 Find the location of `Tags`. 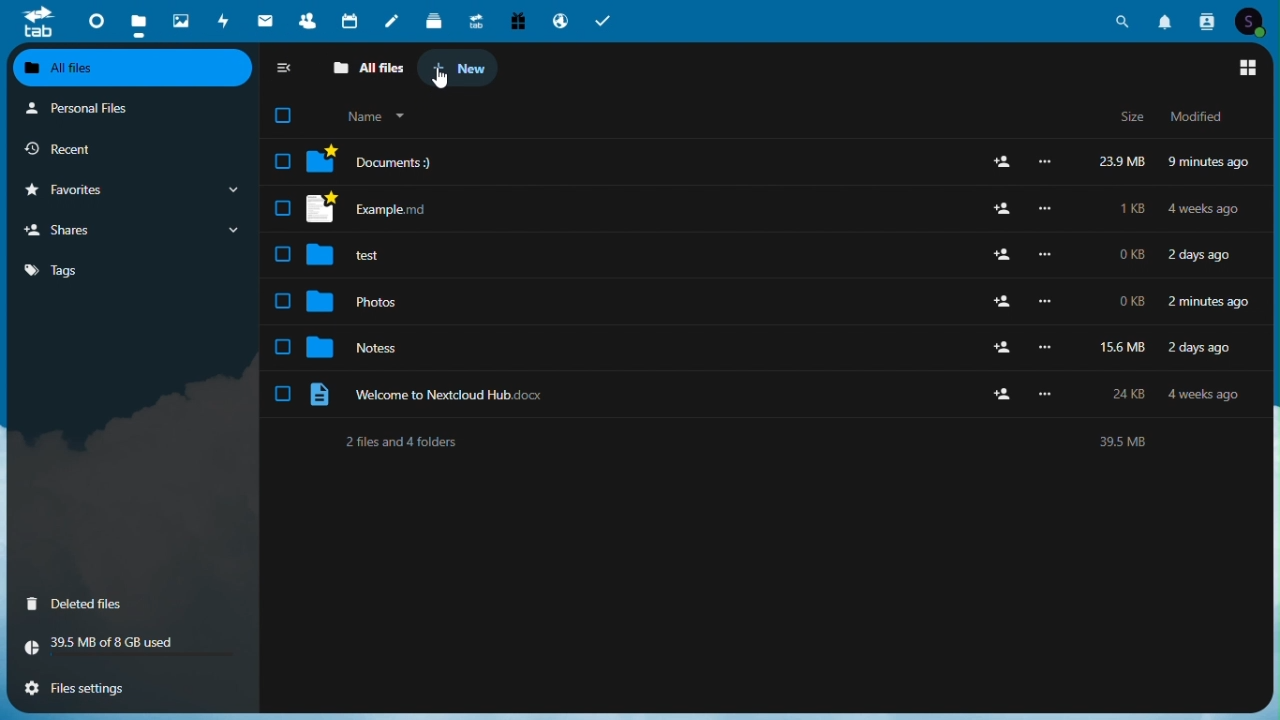

Tags is located at coordinates (126, 273).